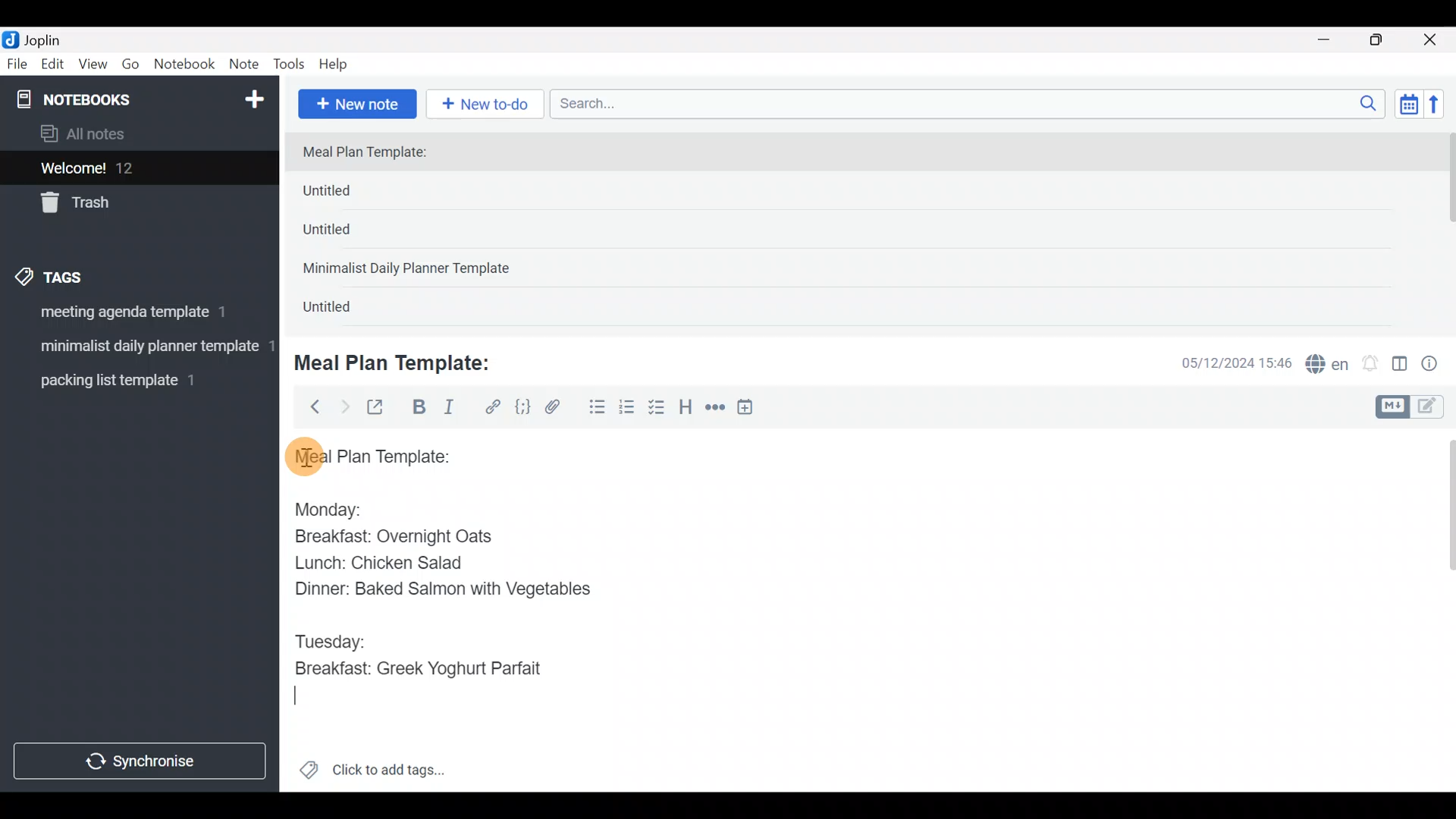  What do you see at coordinates (339, 61) in the screenshot?
I see `Help` at bounding box center [339, 61].